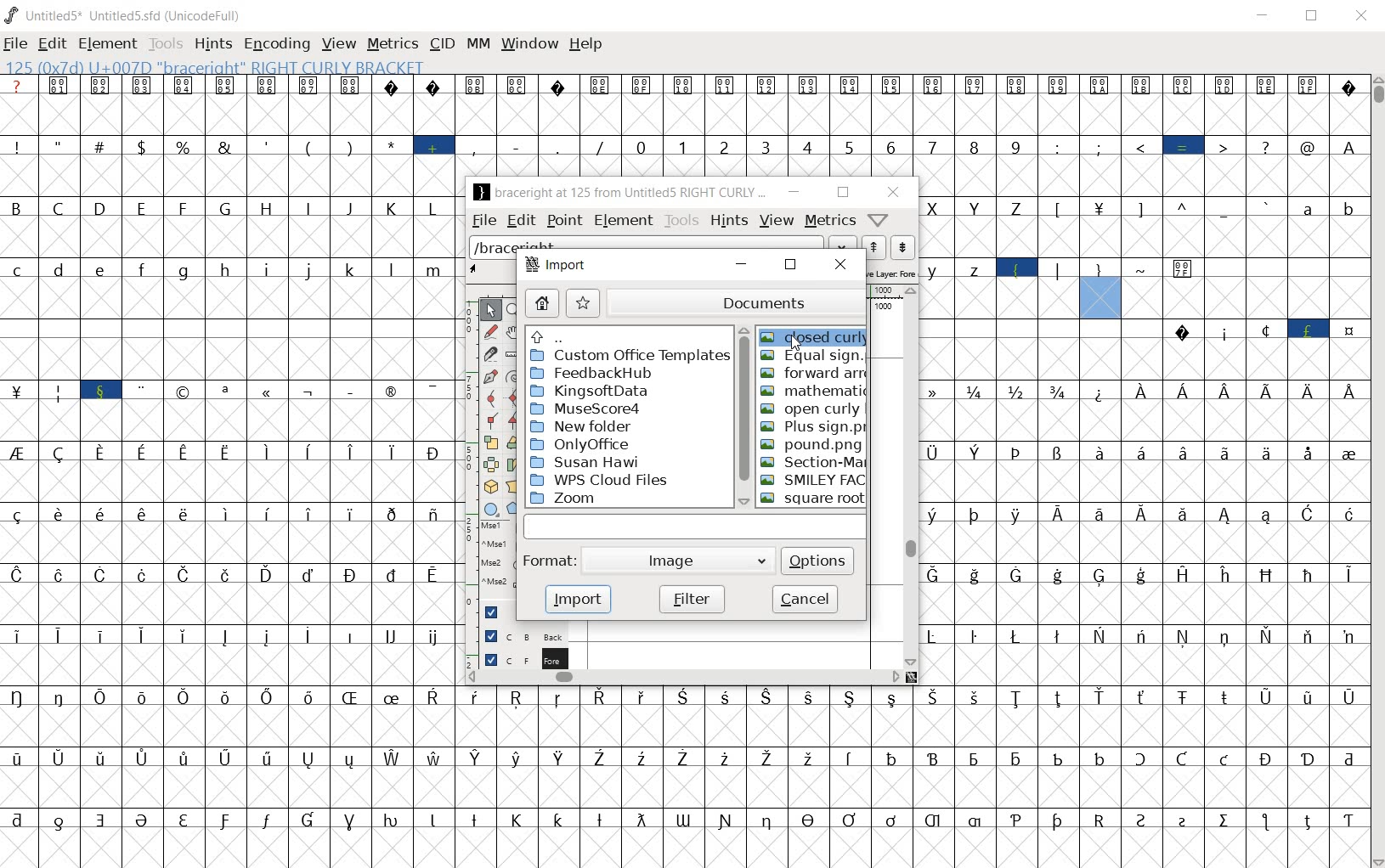  I want to click on WPS Cloud Files, so click(602, 480).